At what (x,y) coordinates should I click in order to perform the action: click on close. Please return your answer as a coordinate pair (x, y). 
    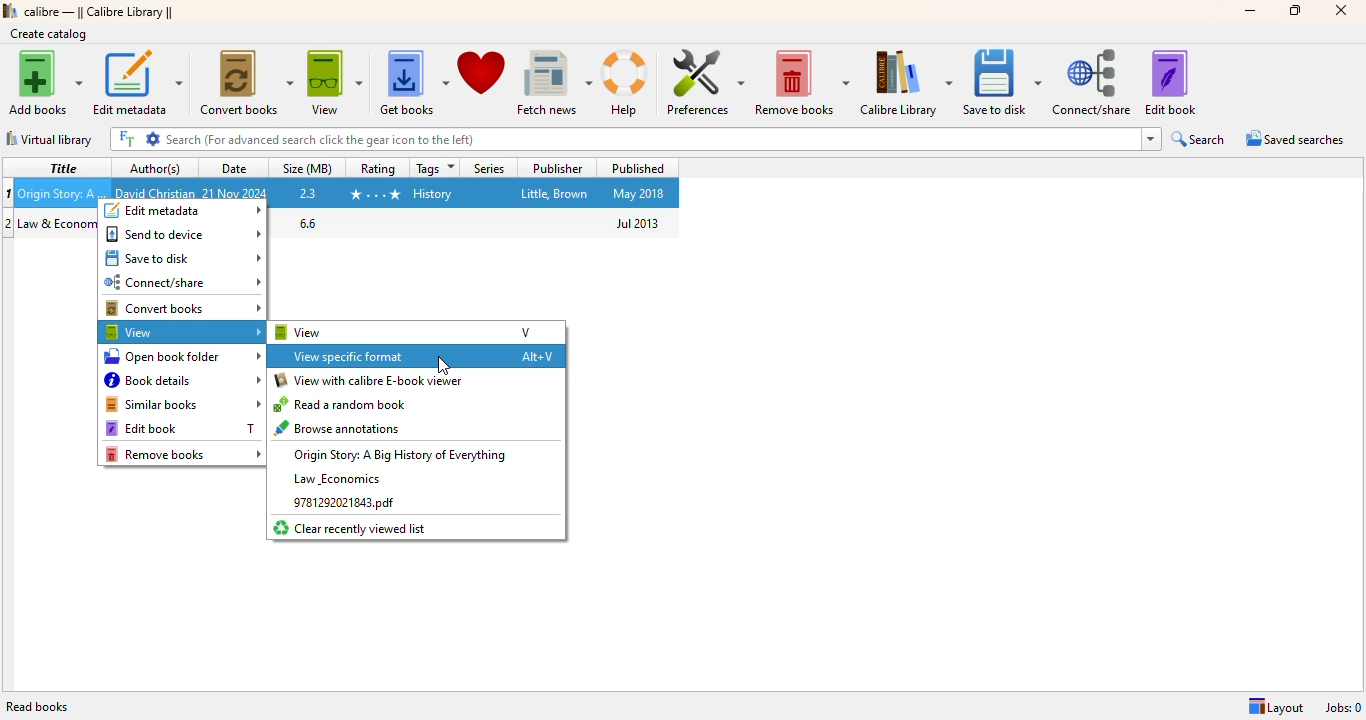
    Looking at the image, I should click on (1342, 10).